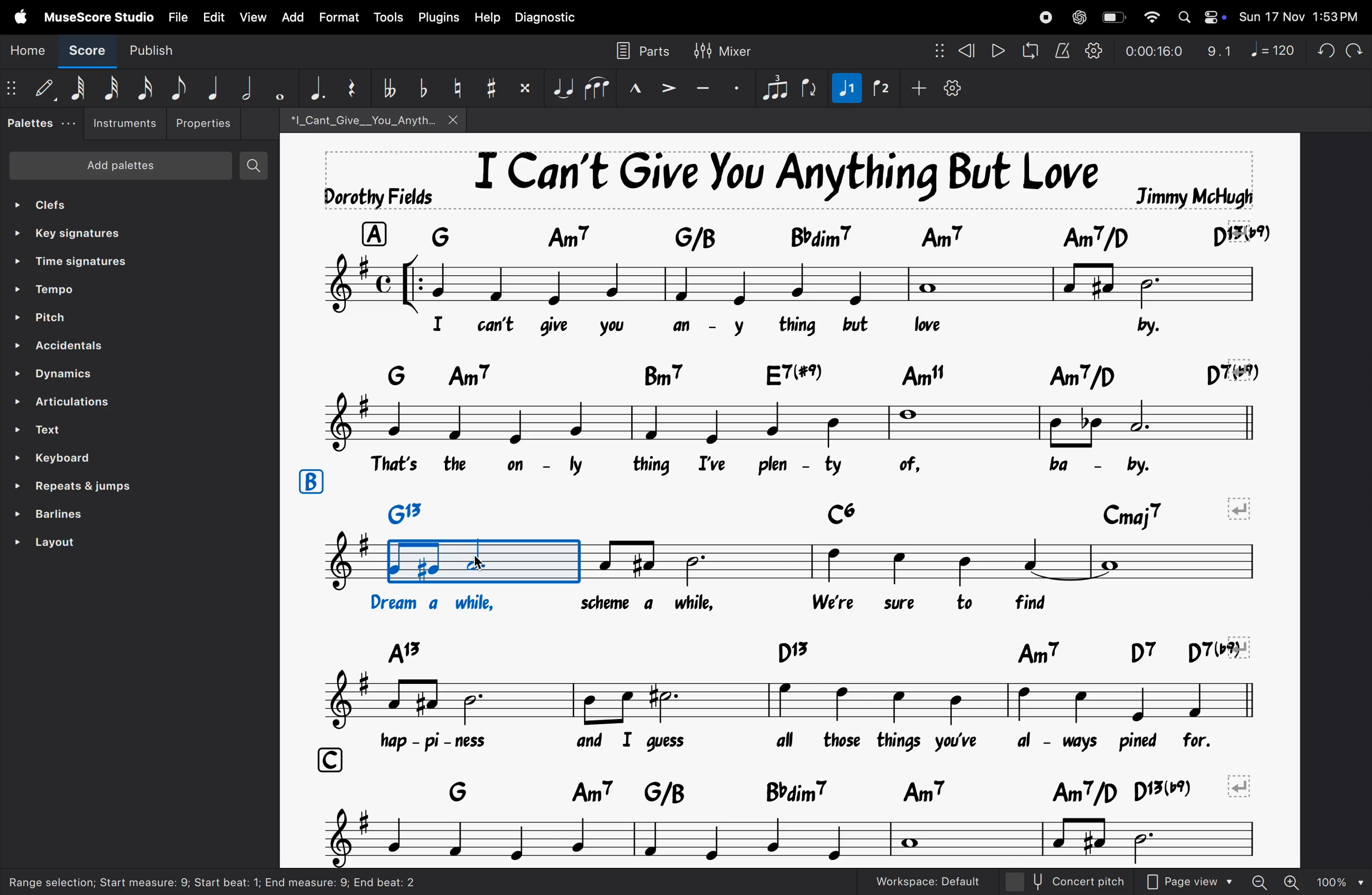 This screenshot has height=895, width=1372. Describe the element at coordinates (729, 50) in the screenshot. I see `mixer` at that location.